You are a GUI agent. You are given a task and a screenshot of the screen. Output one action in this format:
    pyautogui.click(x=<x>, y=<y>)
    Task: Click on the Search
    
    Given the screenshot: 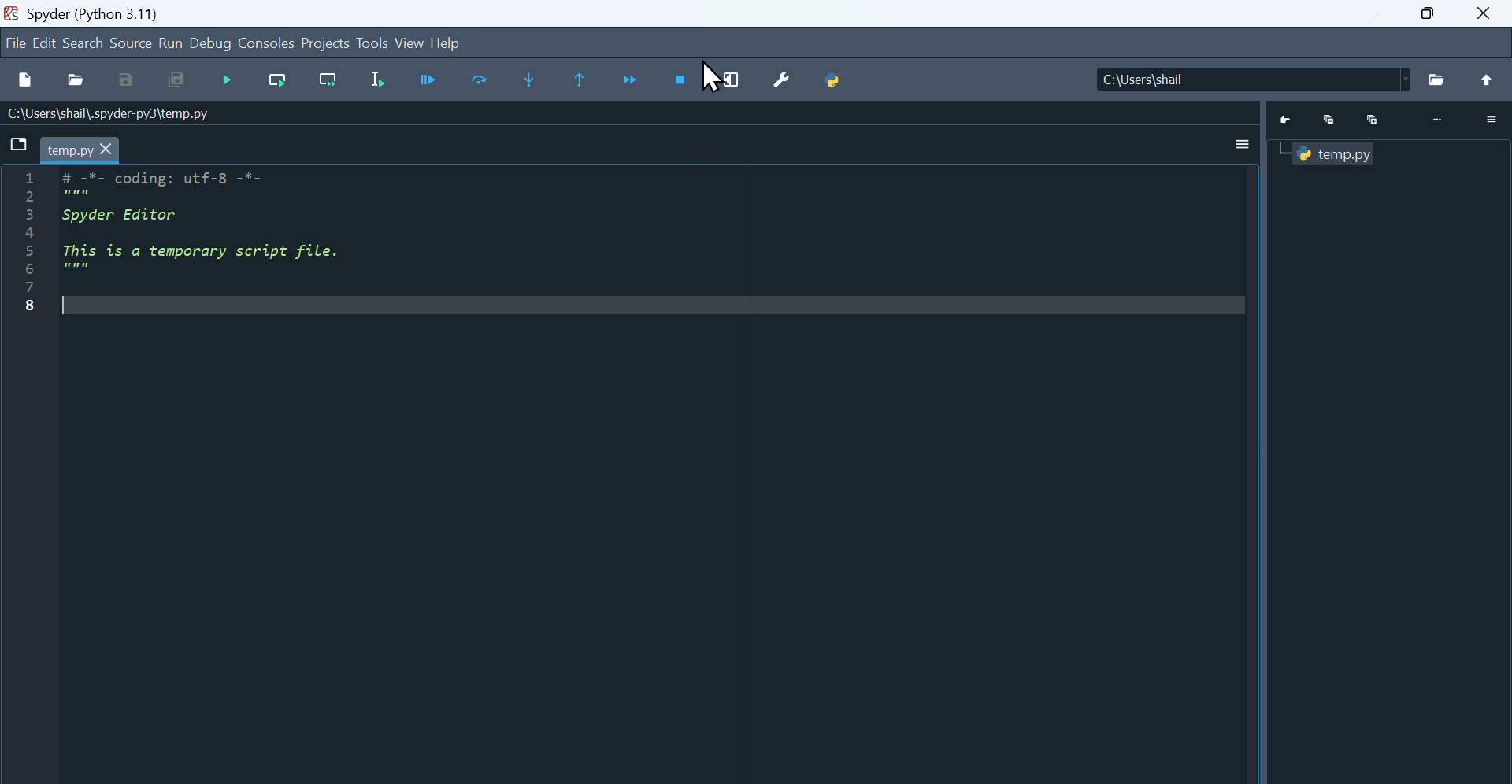 What is the action you would take?
    pyautogui.click(x=82, y=43)
    